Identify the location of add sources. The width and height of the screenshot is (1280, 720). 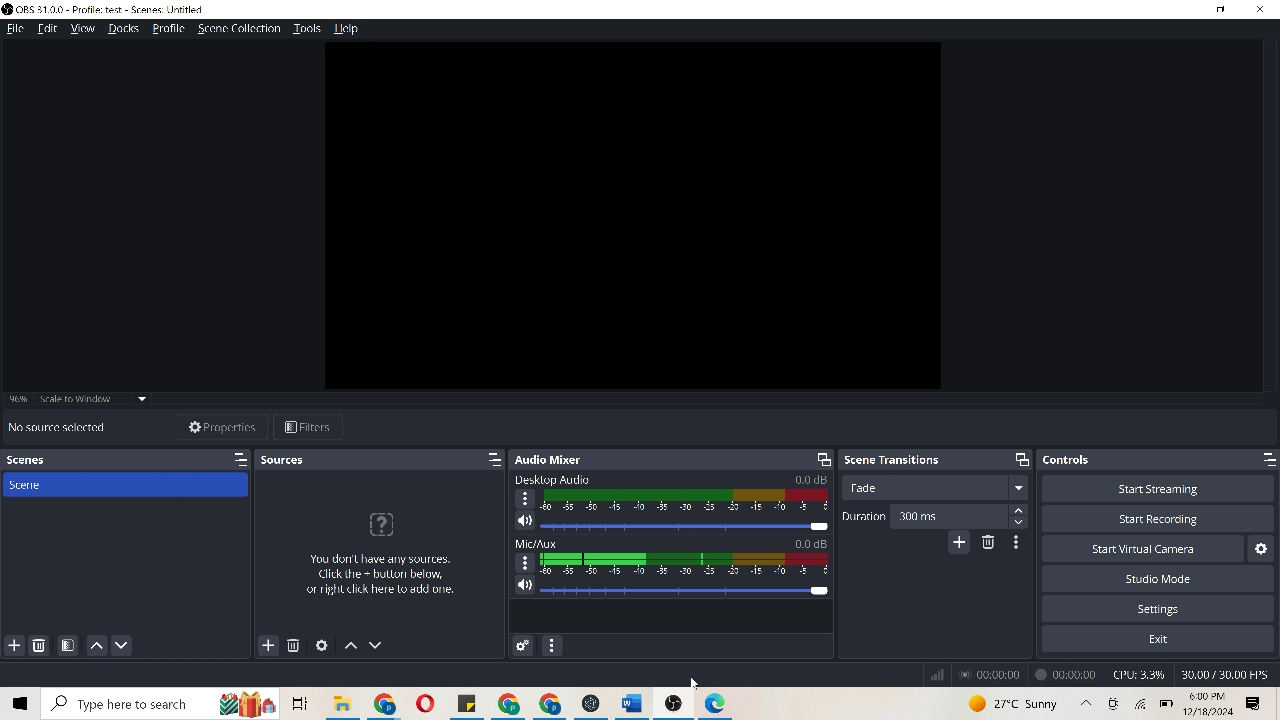
(266, 644).